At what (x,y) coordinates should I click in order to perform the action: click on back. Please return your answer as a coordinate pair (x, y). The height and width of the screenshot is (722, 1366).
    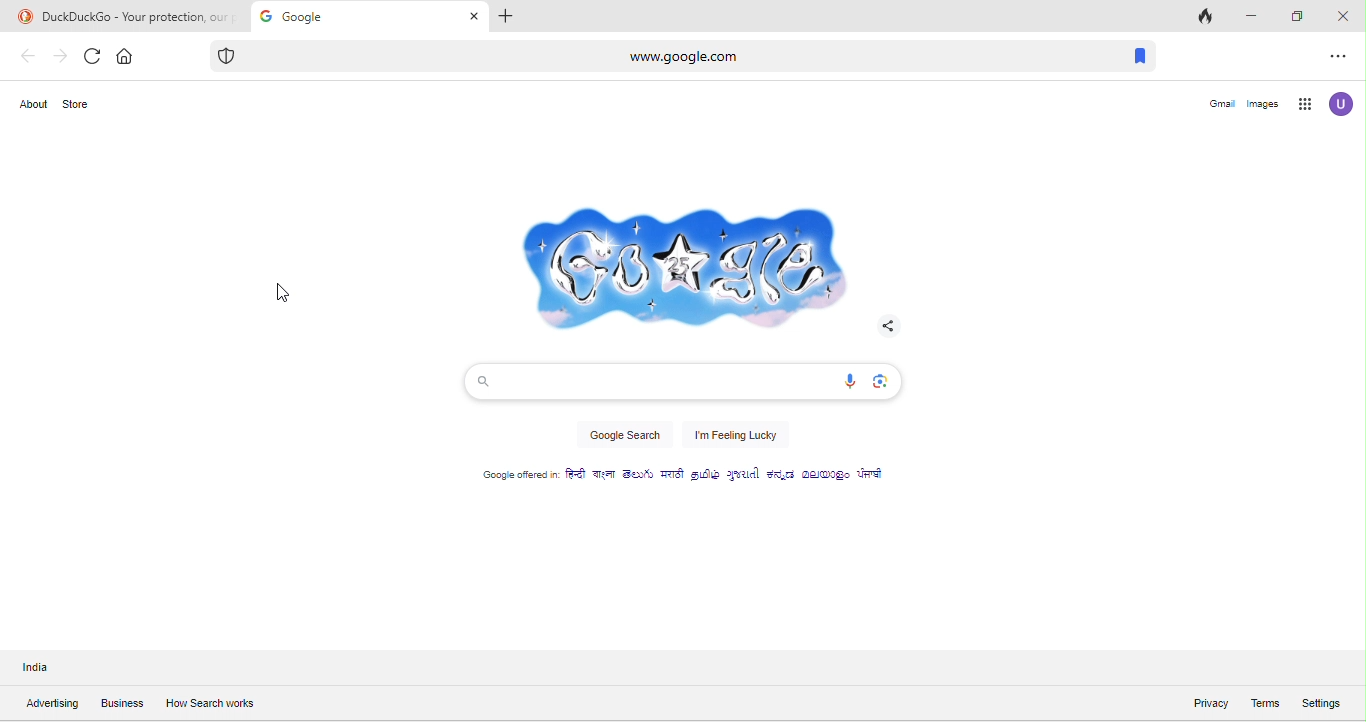
    Looking at the image, I should click on (28, 56).